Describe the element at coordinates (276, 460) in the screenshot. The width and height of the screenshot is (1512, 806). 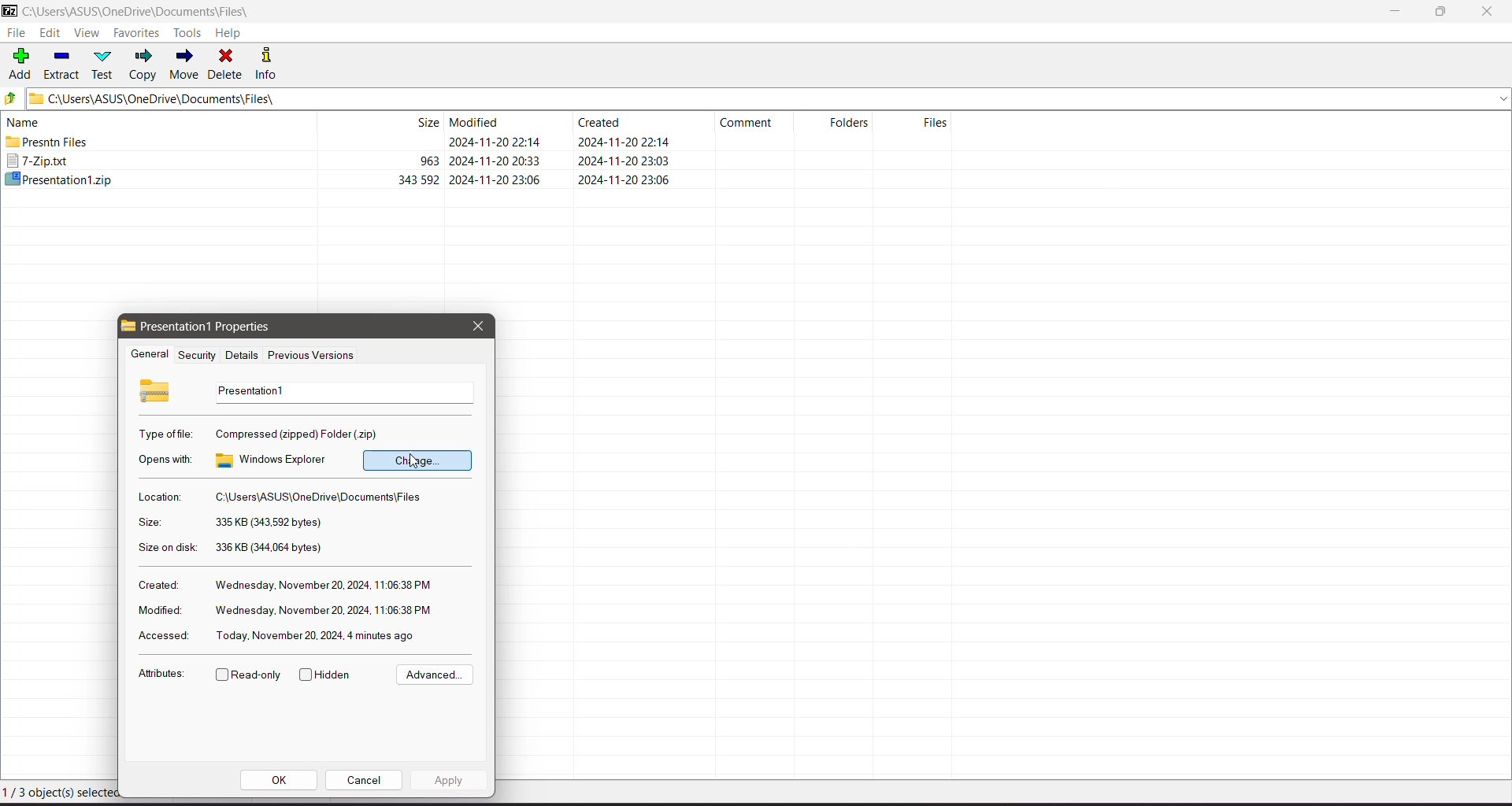
I see `Current program/app to pen the selected .zip file` at that location.